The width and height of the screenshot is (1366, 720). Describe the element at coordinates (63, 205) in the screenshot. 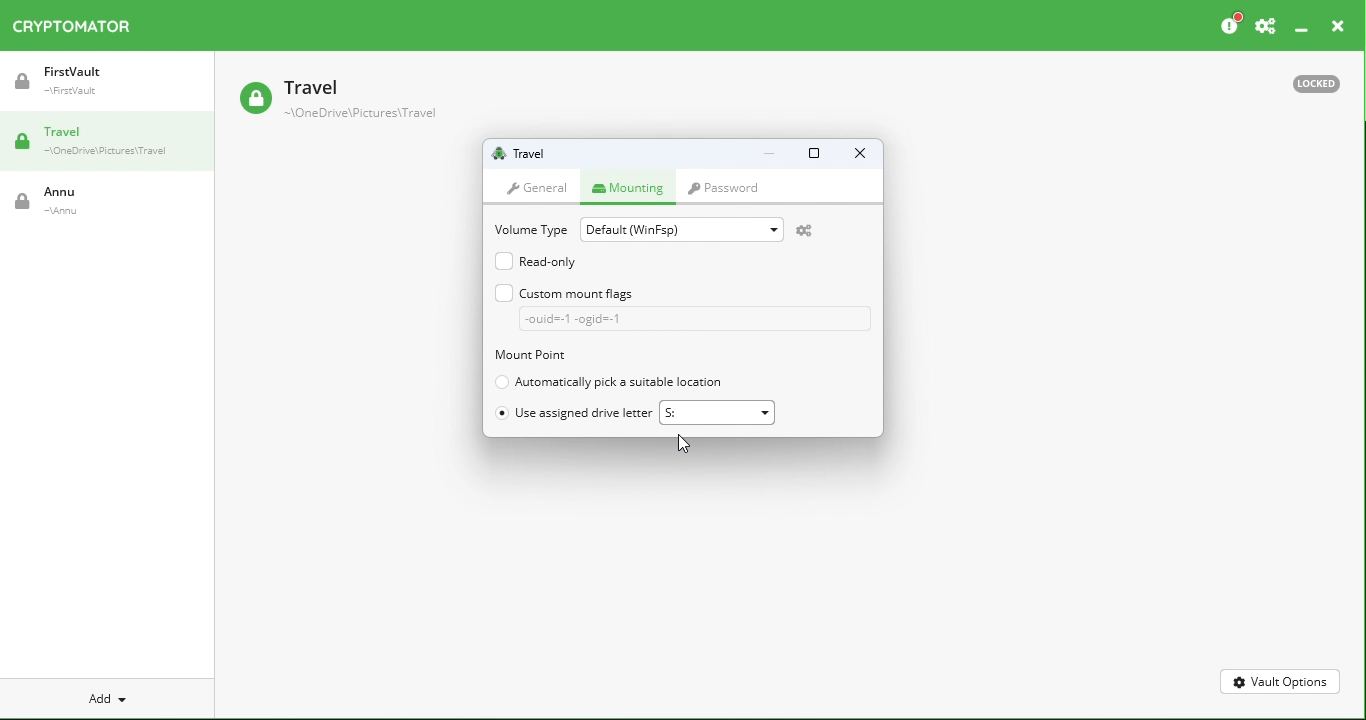

I see `Annu` at that location.